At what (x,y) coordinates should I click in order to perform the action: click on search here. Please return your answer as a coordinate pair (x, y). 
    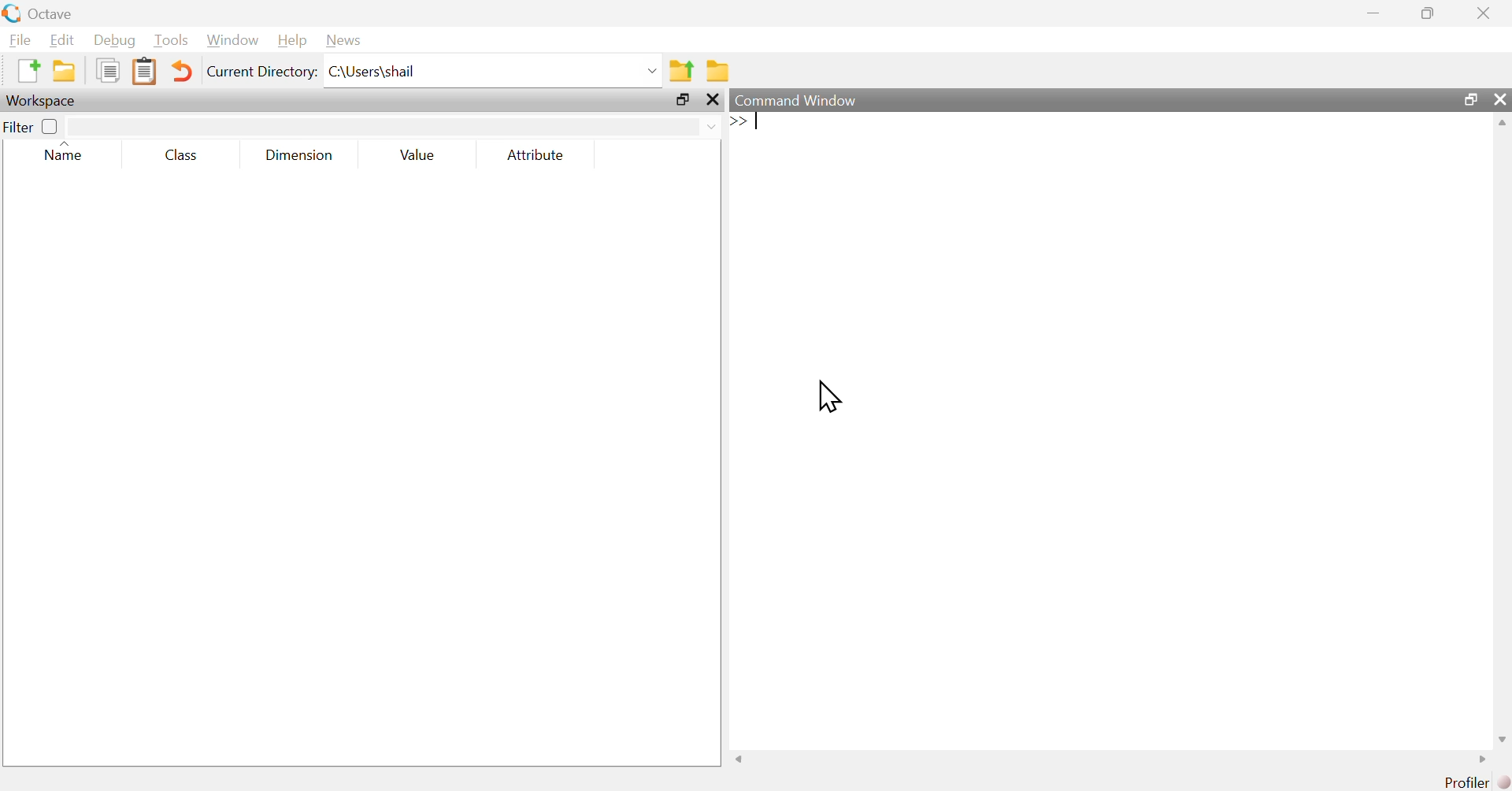
    Looking at the image, I should click on (395, 124).